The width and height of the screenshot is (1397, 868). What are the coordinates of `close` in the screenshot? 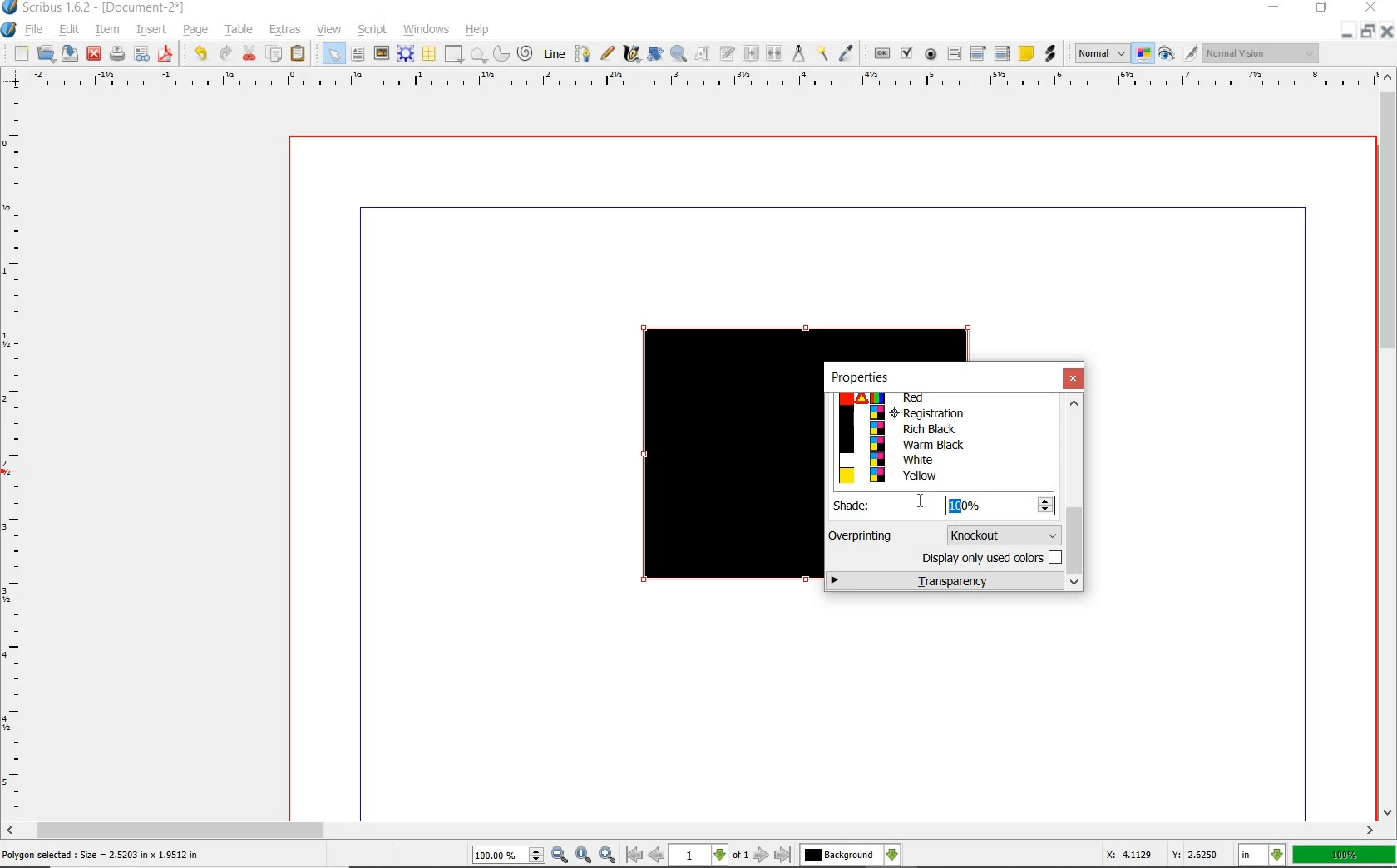 It's located at (93, 55).